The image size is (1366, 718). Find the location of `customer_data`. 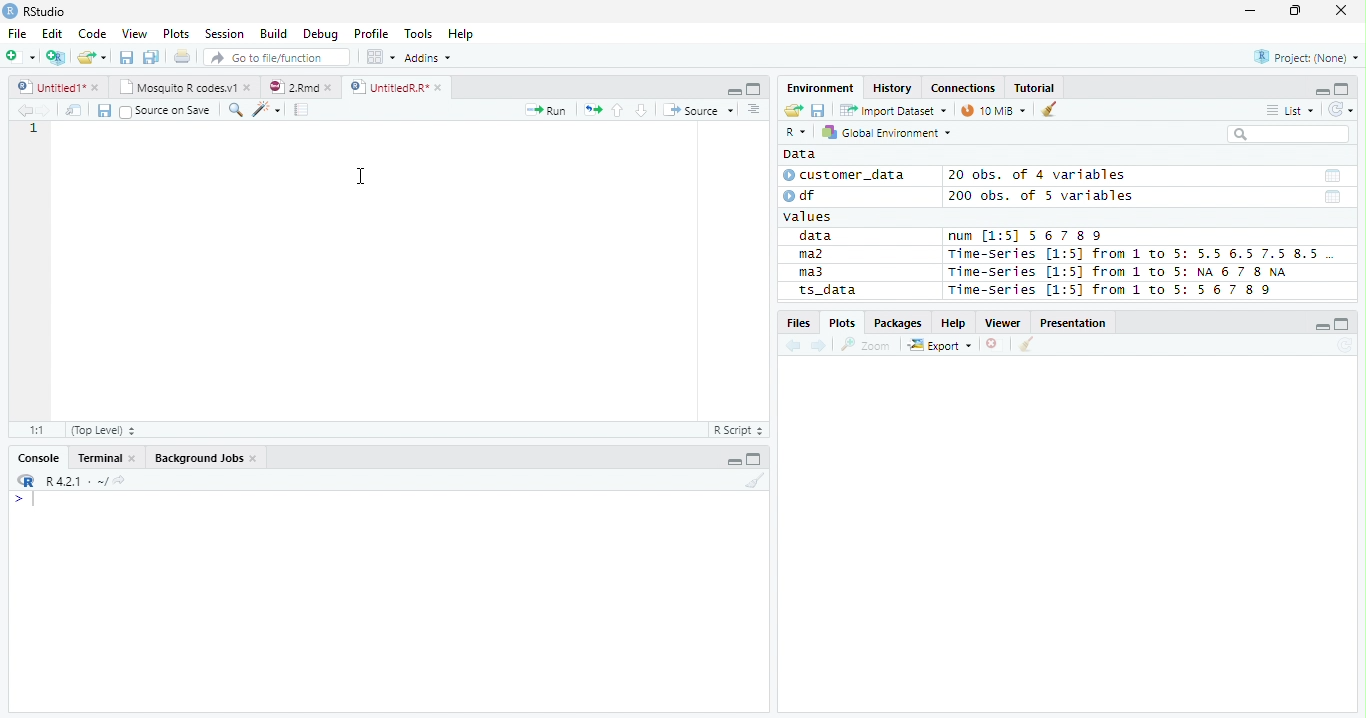

customer_data is located at coordinates (848, 175).